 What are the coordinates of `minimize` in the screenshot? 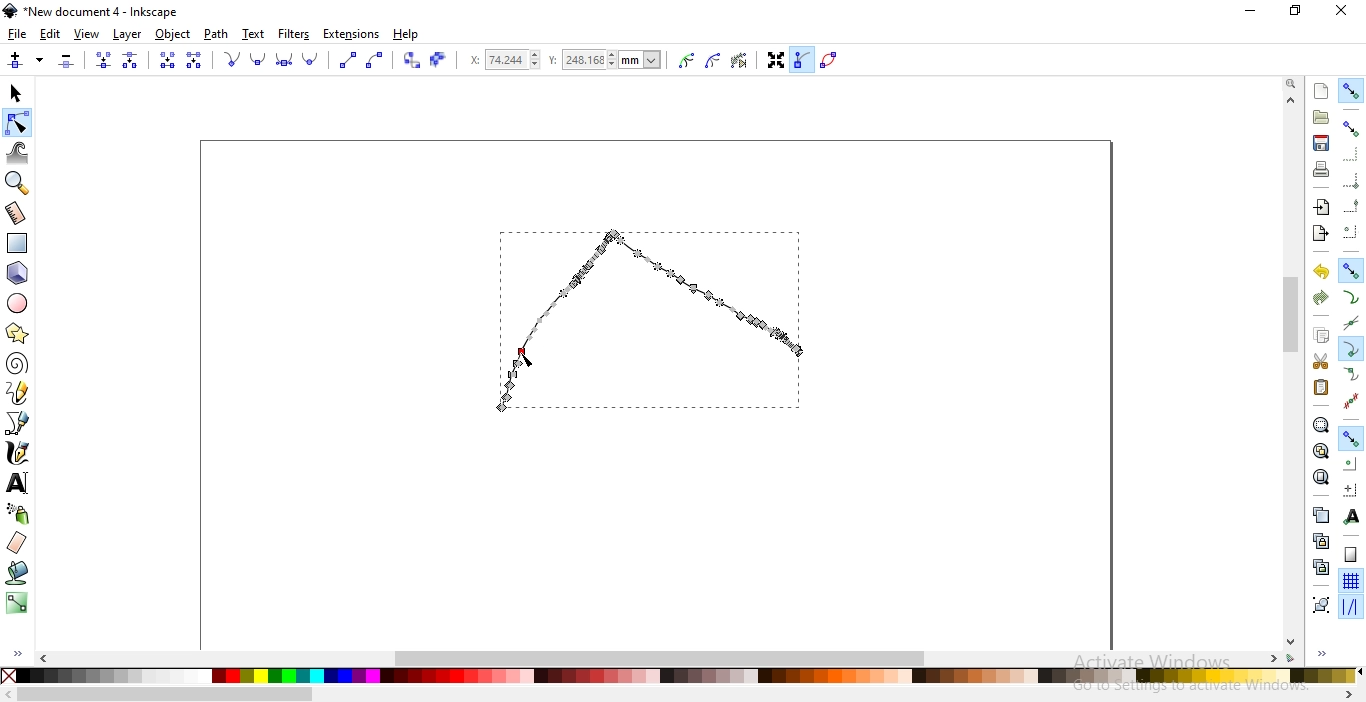 It's located at (1252, 9).